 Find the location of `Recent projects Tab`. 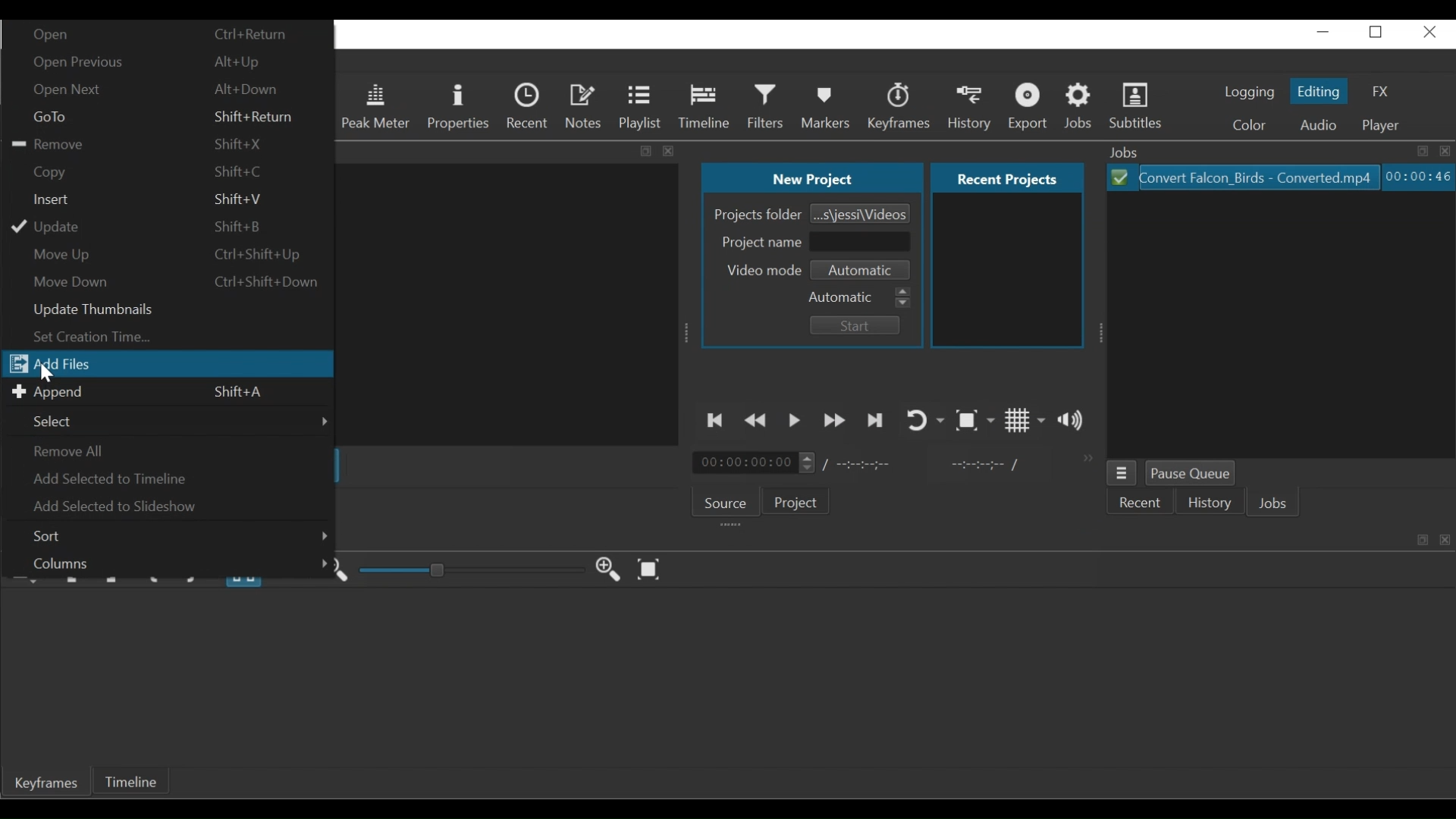

Recent projects Tab is located at coordinates (1009, 178).